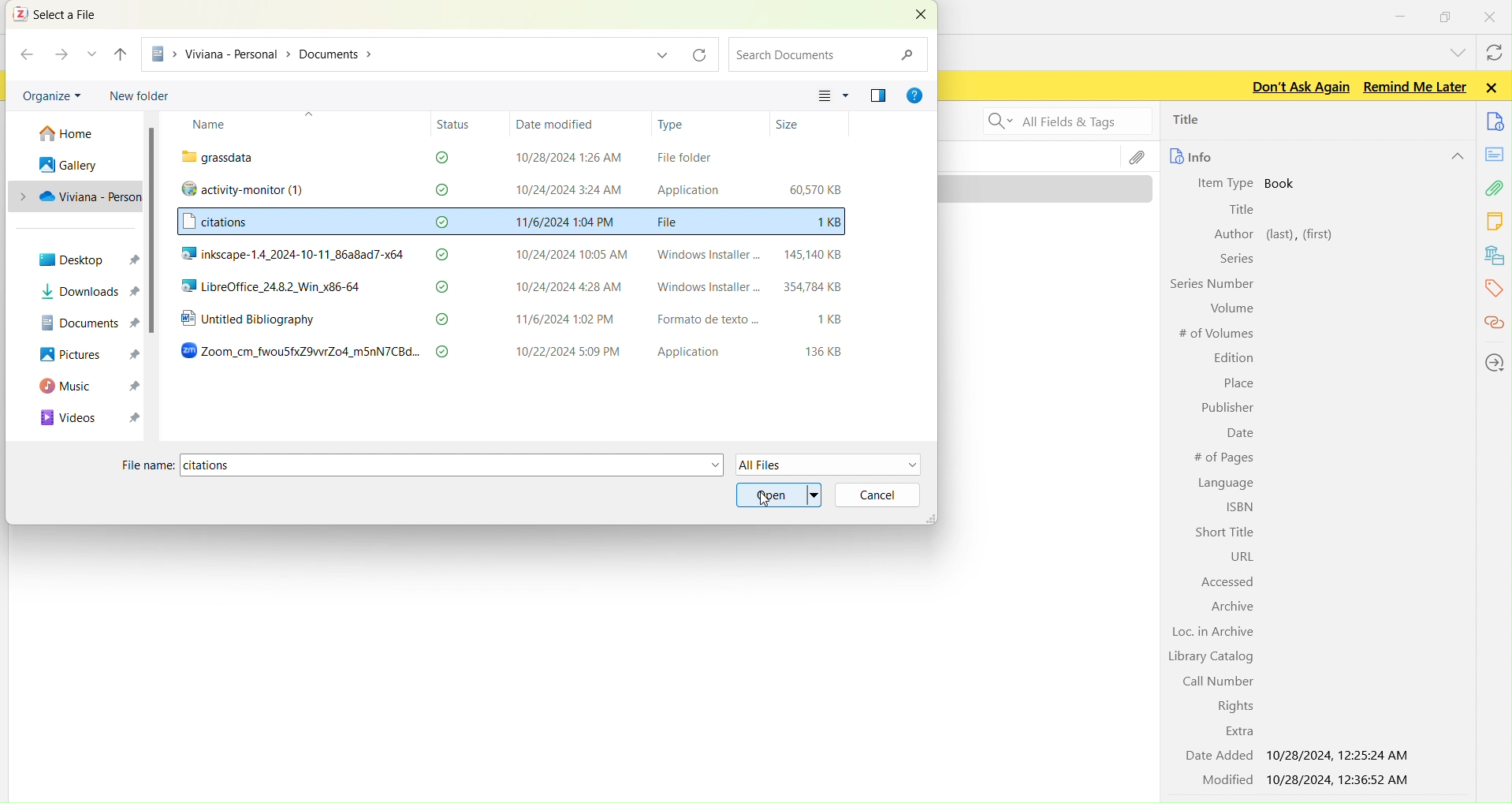 This screenshot has width=1512, height=803. What do you see at coordinates (1497, 121) in the screenshot?
I see `documents` at bounding box center [1497, 121].